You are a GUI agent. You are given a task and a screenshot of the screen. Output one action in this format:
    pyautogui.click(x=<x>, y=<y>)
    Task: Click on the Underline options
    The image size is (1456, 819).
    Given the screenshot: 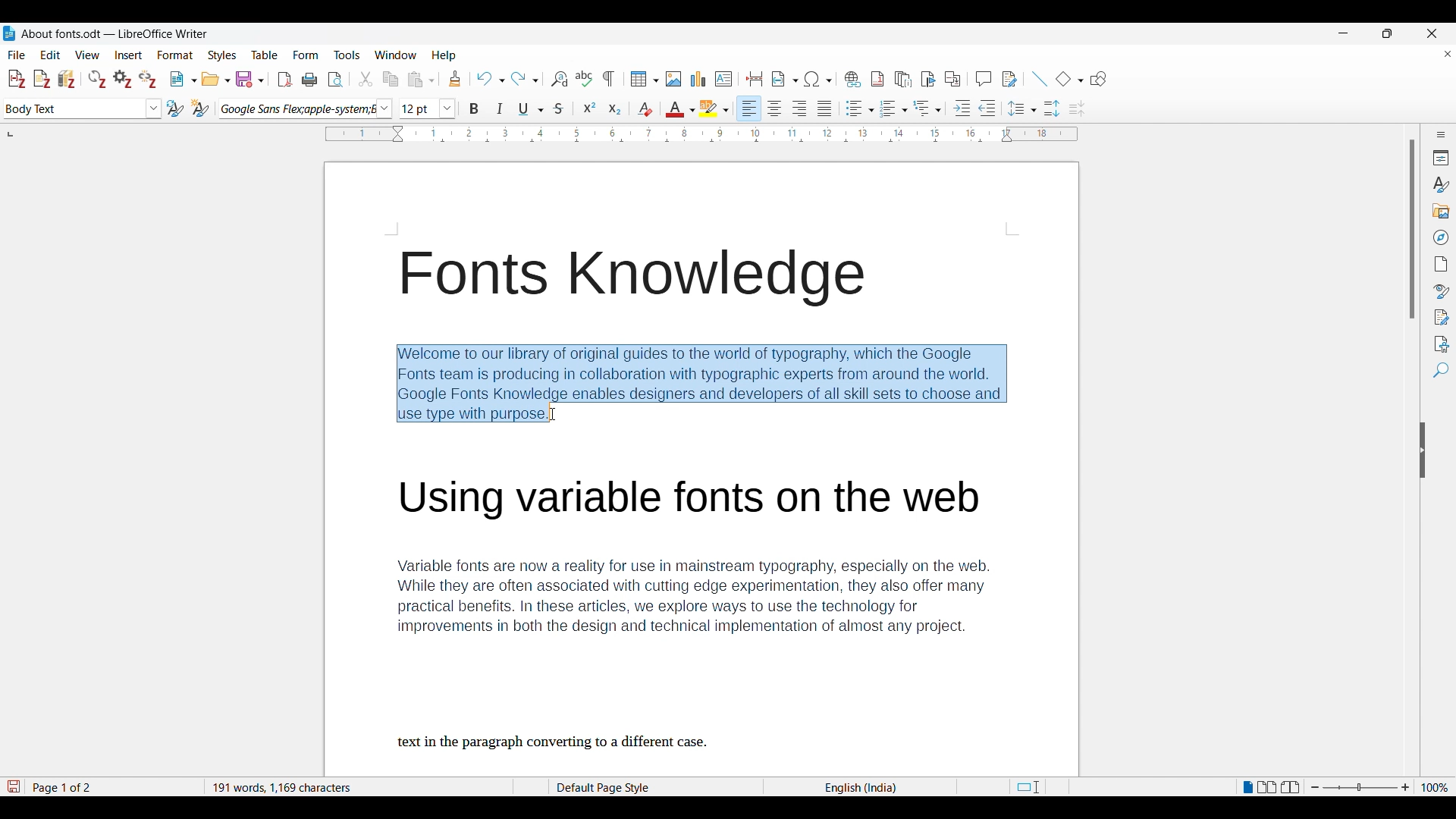 What is the action you would take?
    pyautogui.click(x=531, y=109)
    